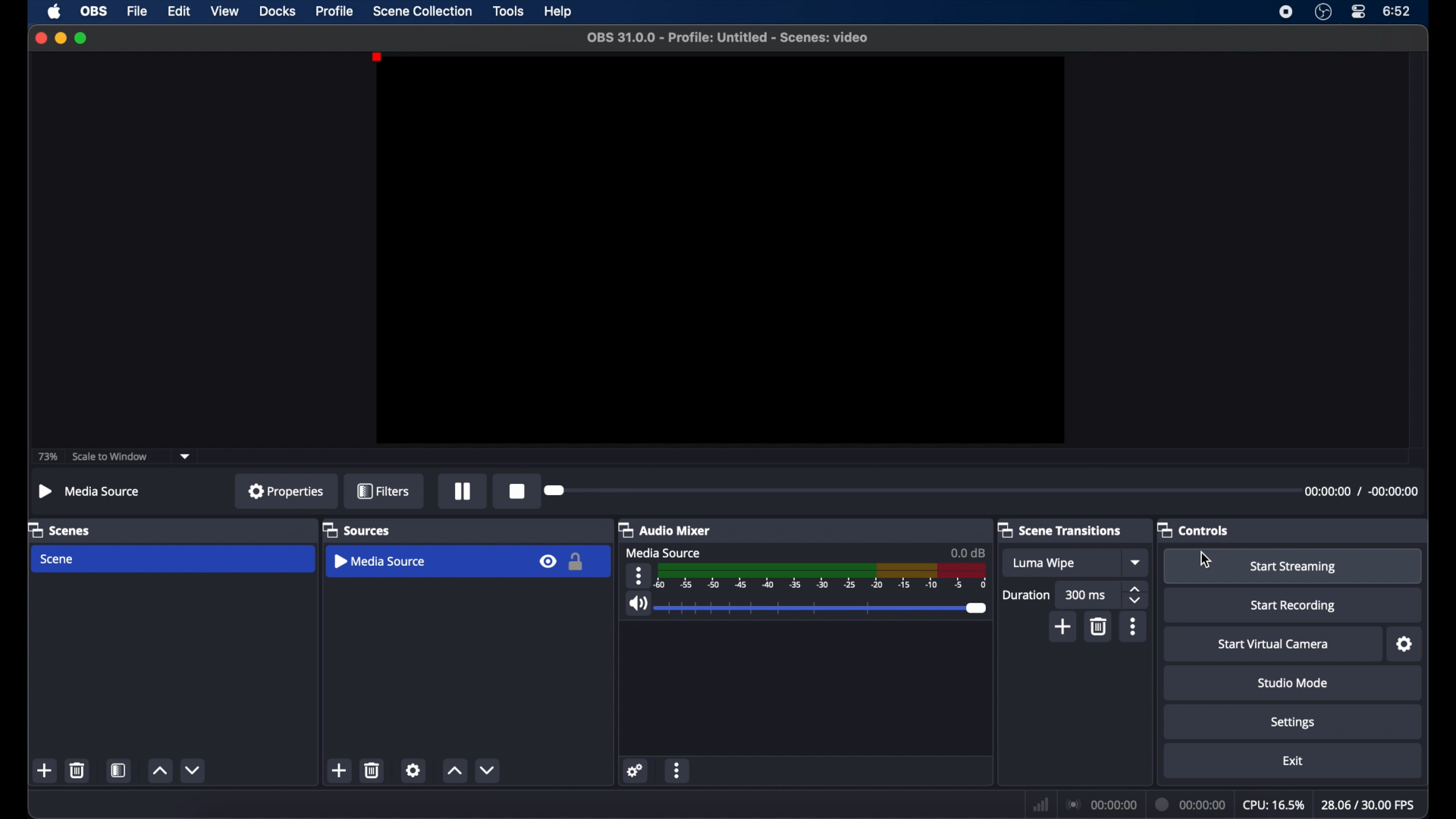  I want to click on duration, so click(1192, 803).